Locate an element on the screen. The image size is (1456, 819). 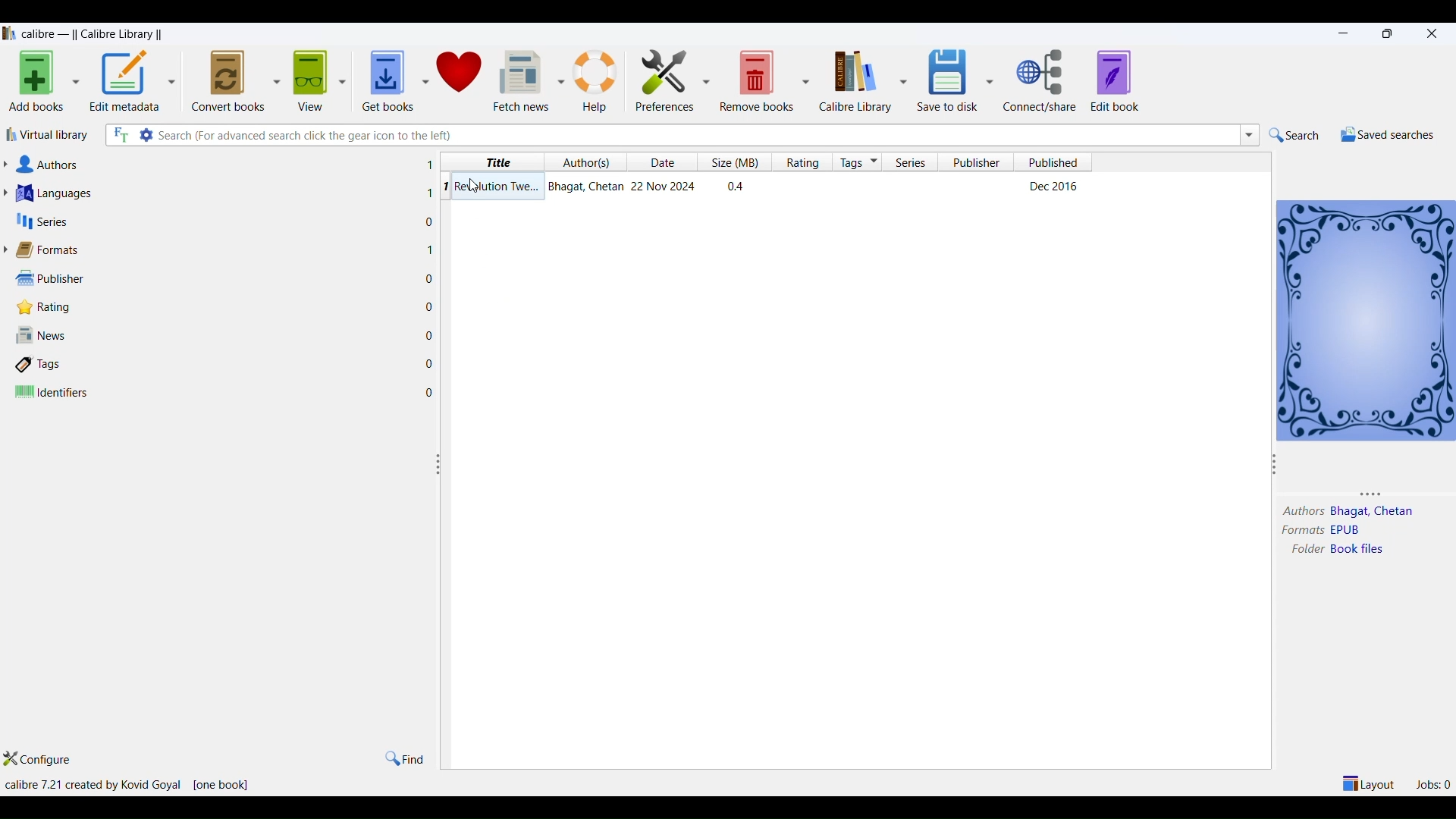
calibre library options dropdown button is located at coordinates (903, 80).